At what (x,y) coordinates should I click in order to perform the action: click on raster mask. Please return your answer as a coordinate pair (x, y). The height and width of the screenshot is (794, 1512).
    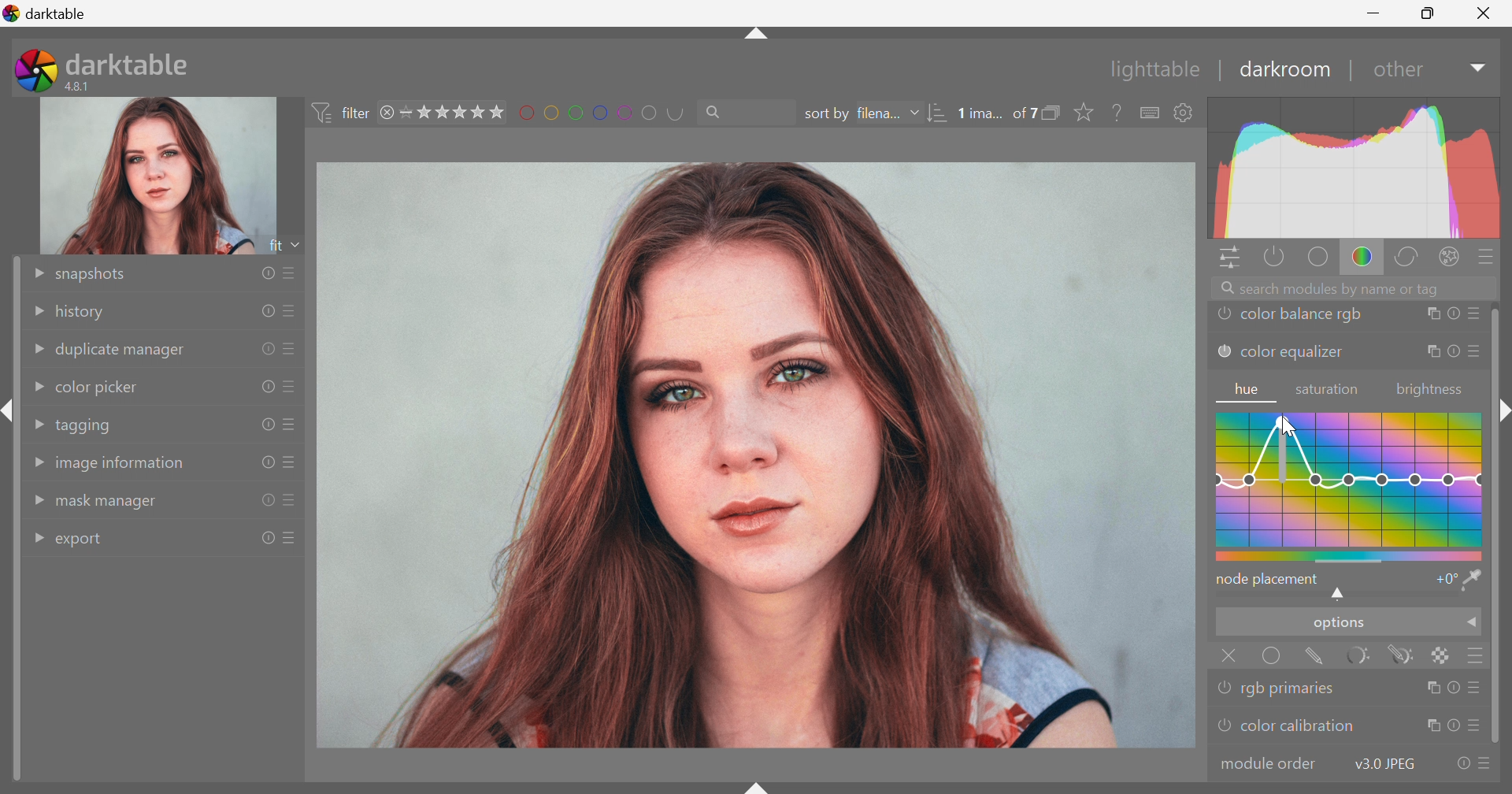
    Looking at the image, I should click on (1443, 655).